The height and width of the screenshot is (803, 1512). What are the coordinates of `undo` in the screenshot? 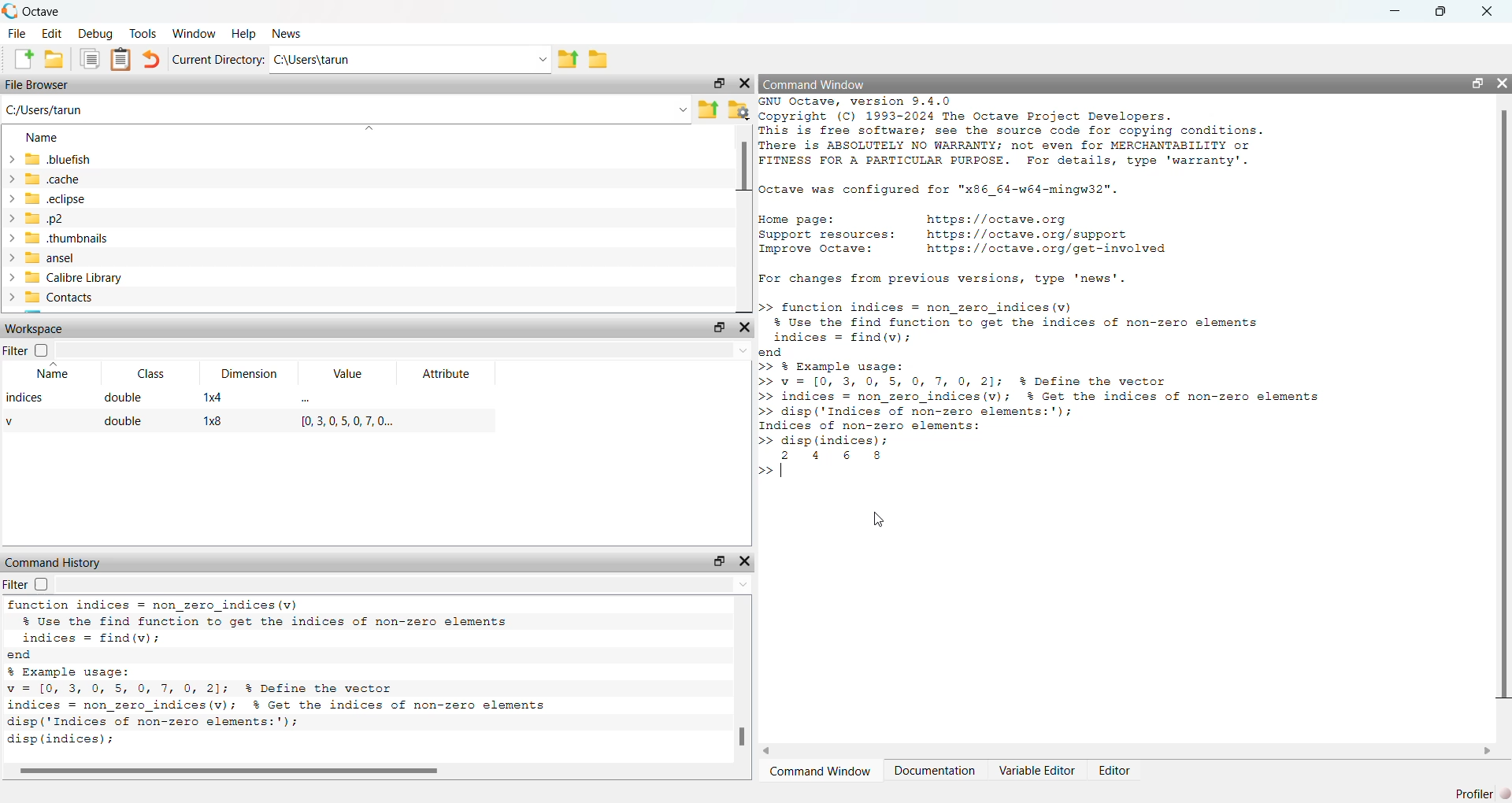 It's located at (154, 61).